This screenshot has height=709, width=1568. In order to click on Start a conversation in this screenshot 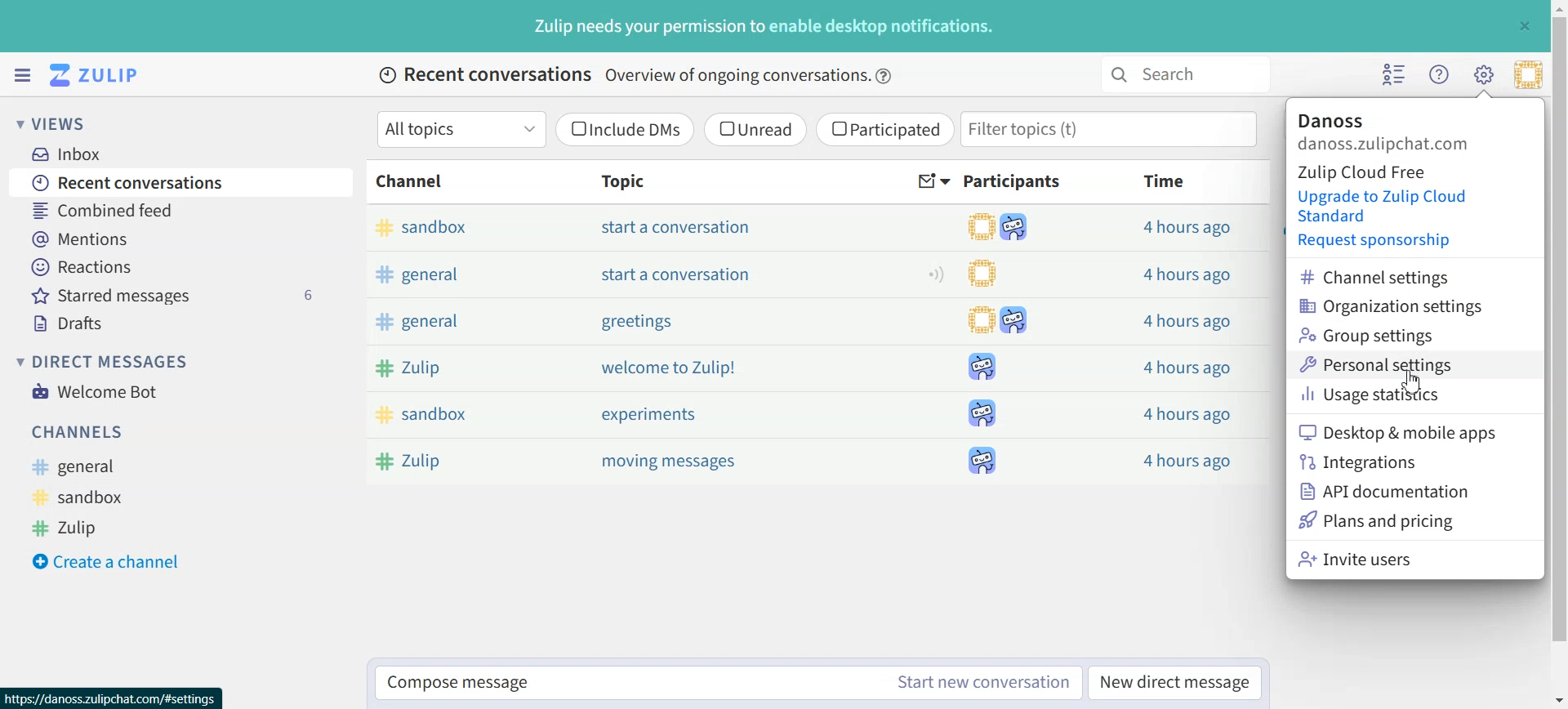, I will do `click(679, 227)`.